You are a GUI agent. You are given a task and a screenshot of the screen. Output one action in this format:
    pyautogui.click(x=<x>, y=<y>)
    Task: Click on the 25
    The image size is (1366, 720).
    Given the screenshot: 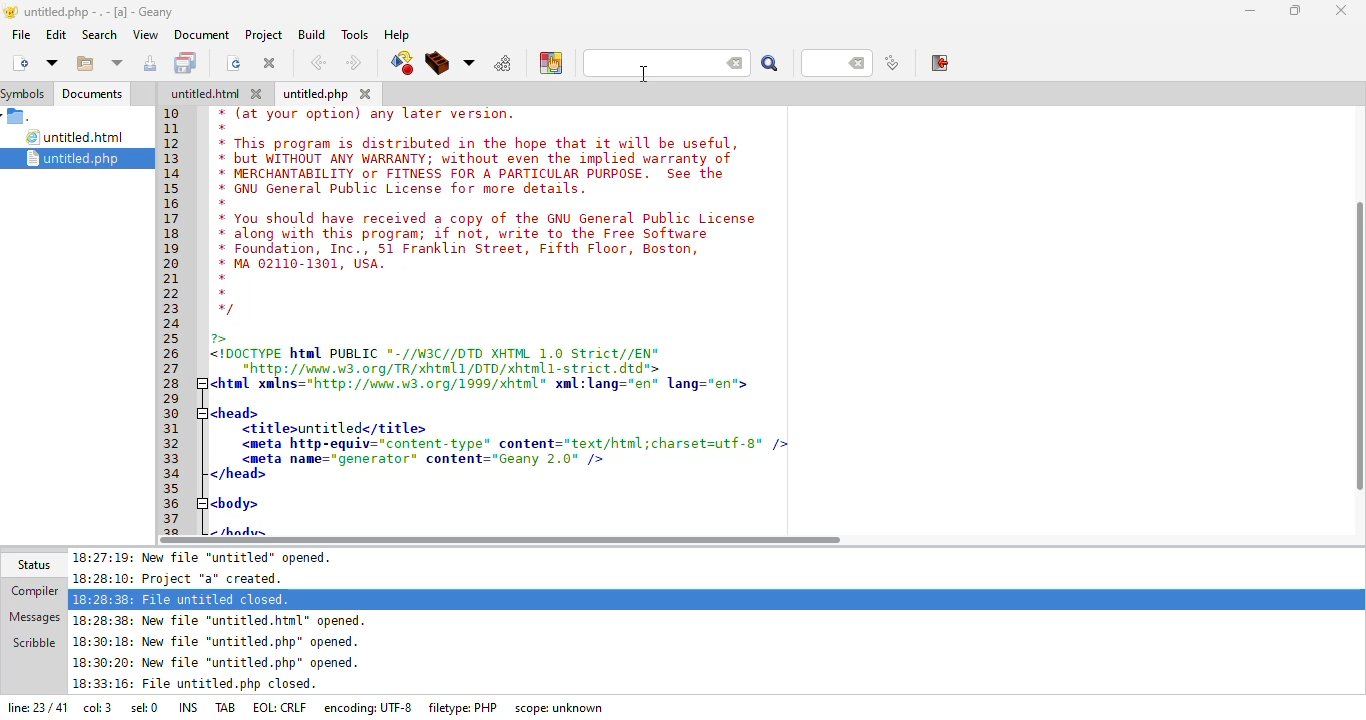 What is the action you would take?
    pyautogui.click(x=173, y=338)
    